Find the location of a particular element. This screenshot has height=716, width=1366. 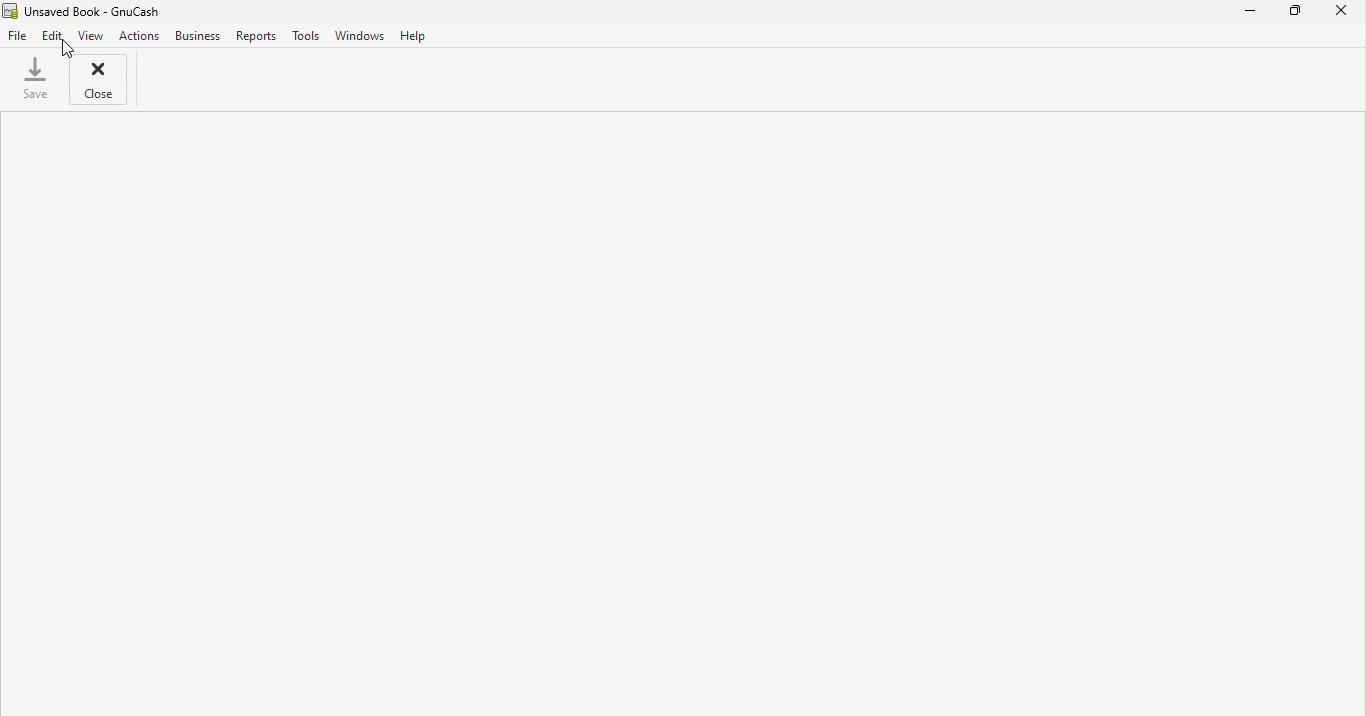

Maximize is located at coordinates (1301, 13).